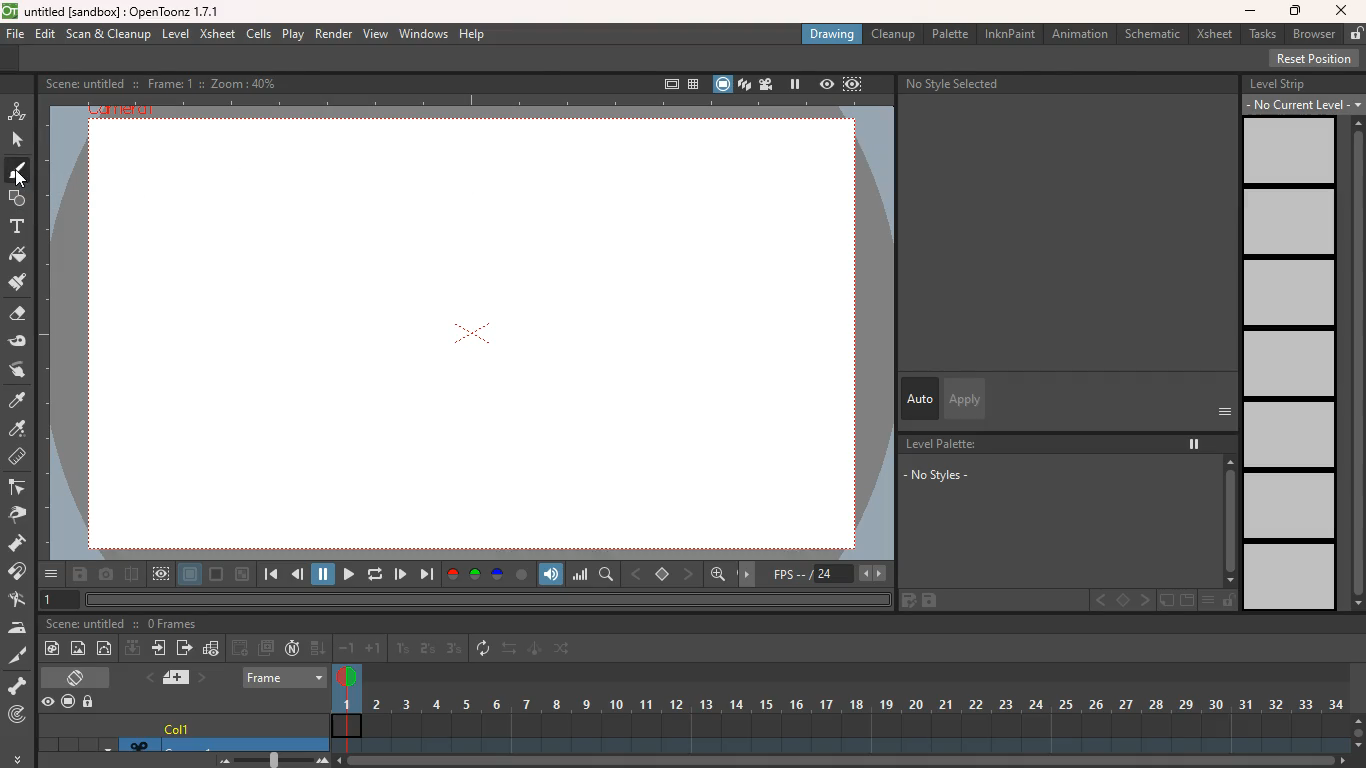 The height and width of the screenshot is (768, 1366). Describe the element at coordinates (936, 475) in the screenshot. I see `- no styles -` at that location.